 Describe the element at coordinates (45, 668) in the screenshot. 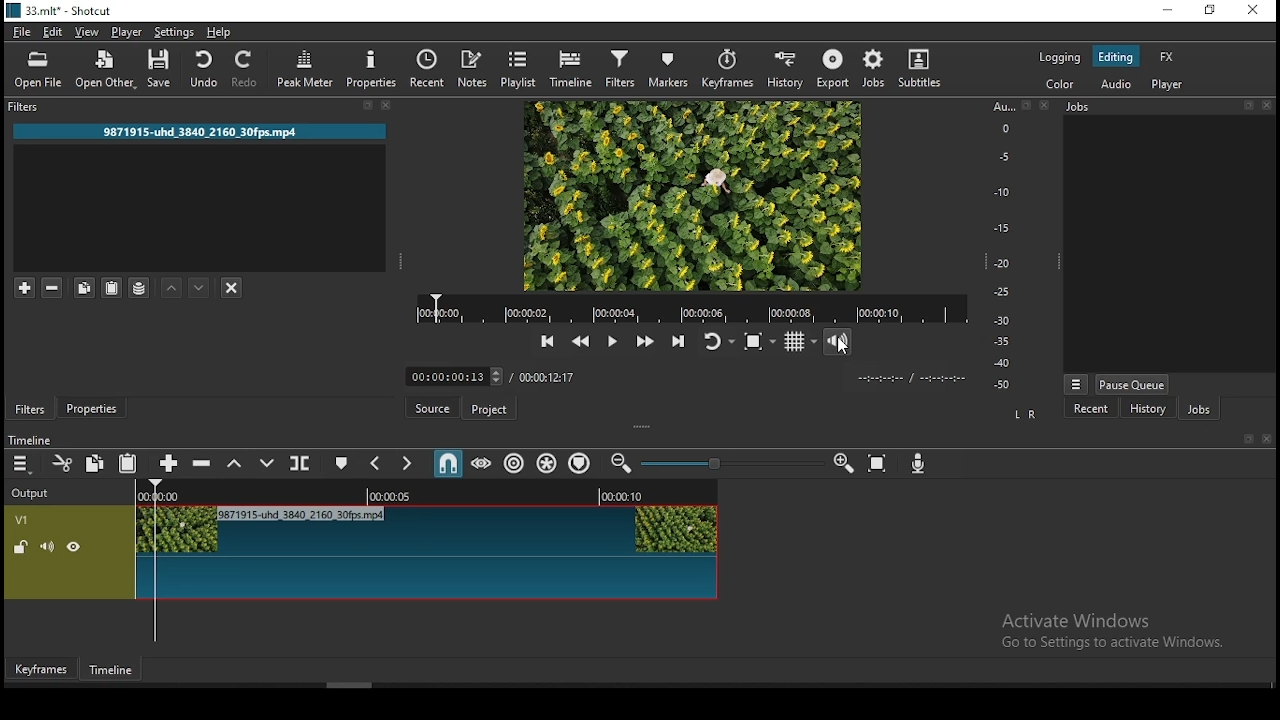

I see `keyframes` at that location.